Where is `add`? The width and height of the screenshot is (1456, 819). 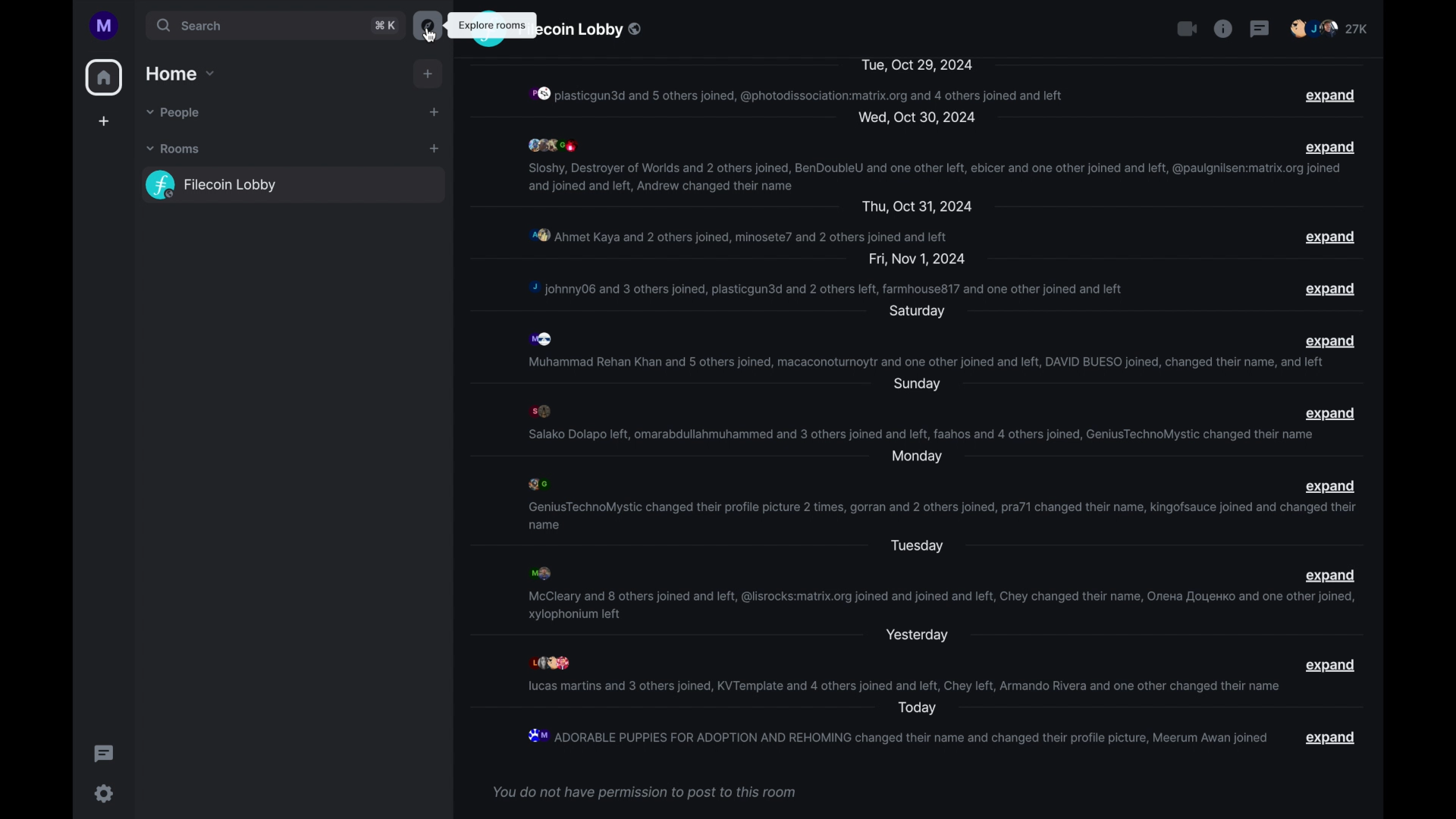 add is located at coordinates (435, 112).